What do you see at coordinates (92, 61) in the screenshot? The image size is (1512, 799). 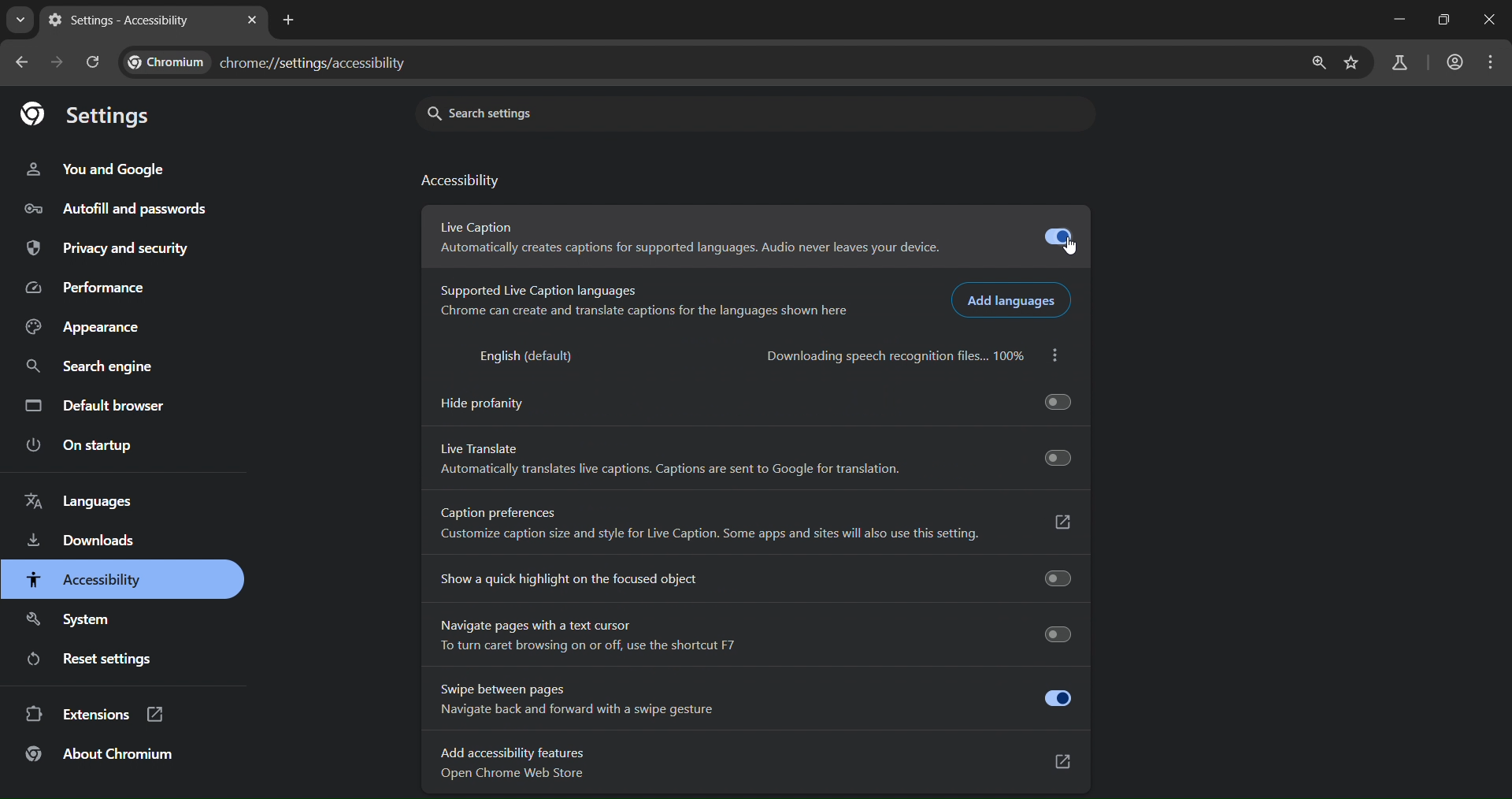 I see `reload page` at bounding box center [92, 61].